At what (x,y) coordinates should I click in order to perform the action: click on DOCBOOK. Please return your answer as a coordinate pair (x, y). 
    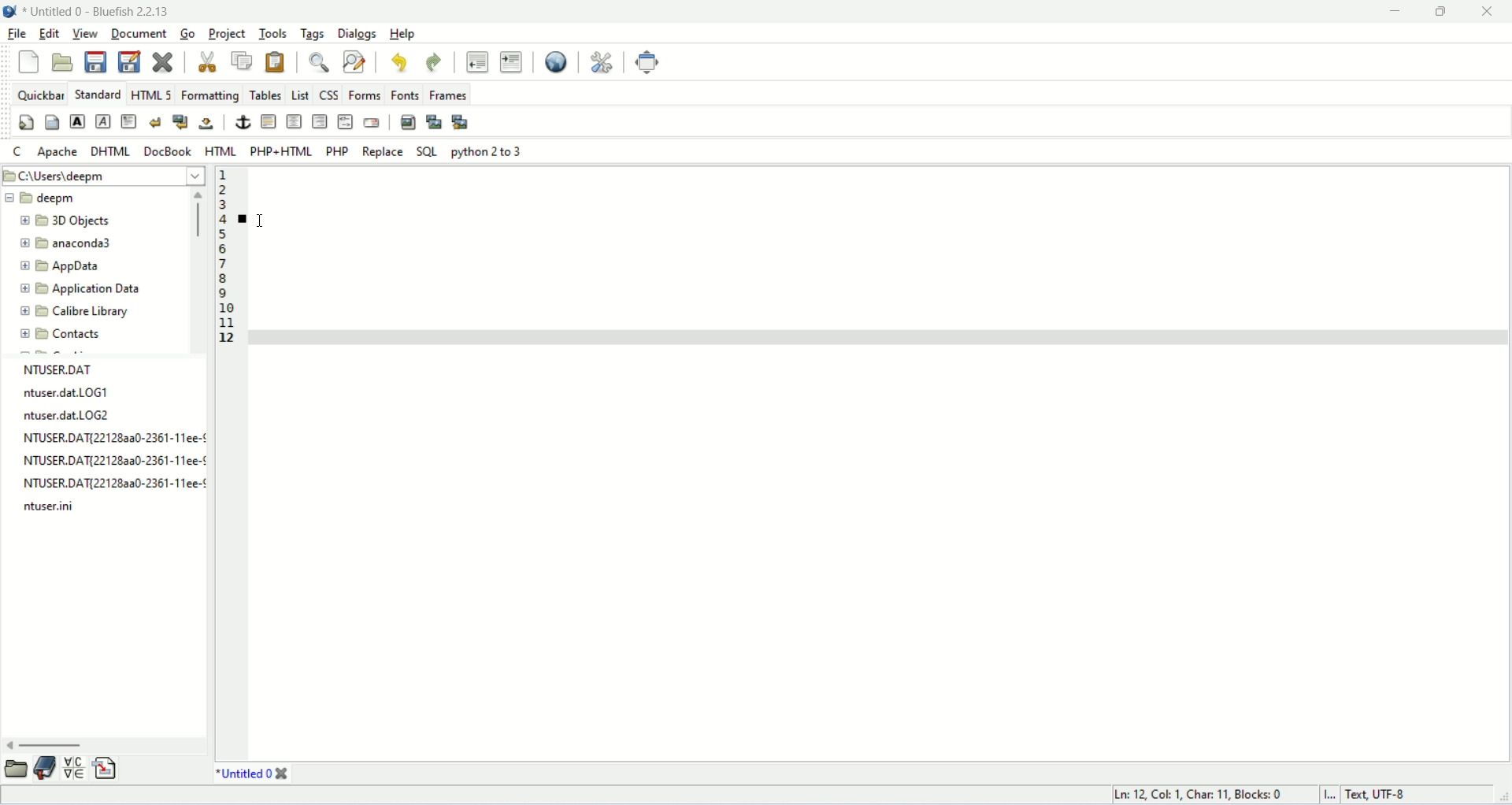
    Looking at the image, I should click on (169, 151).